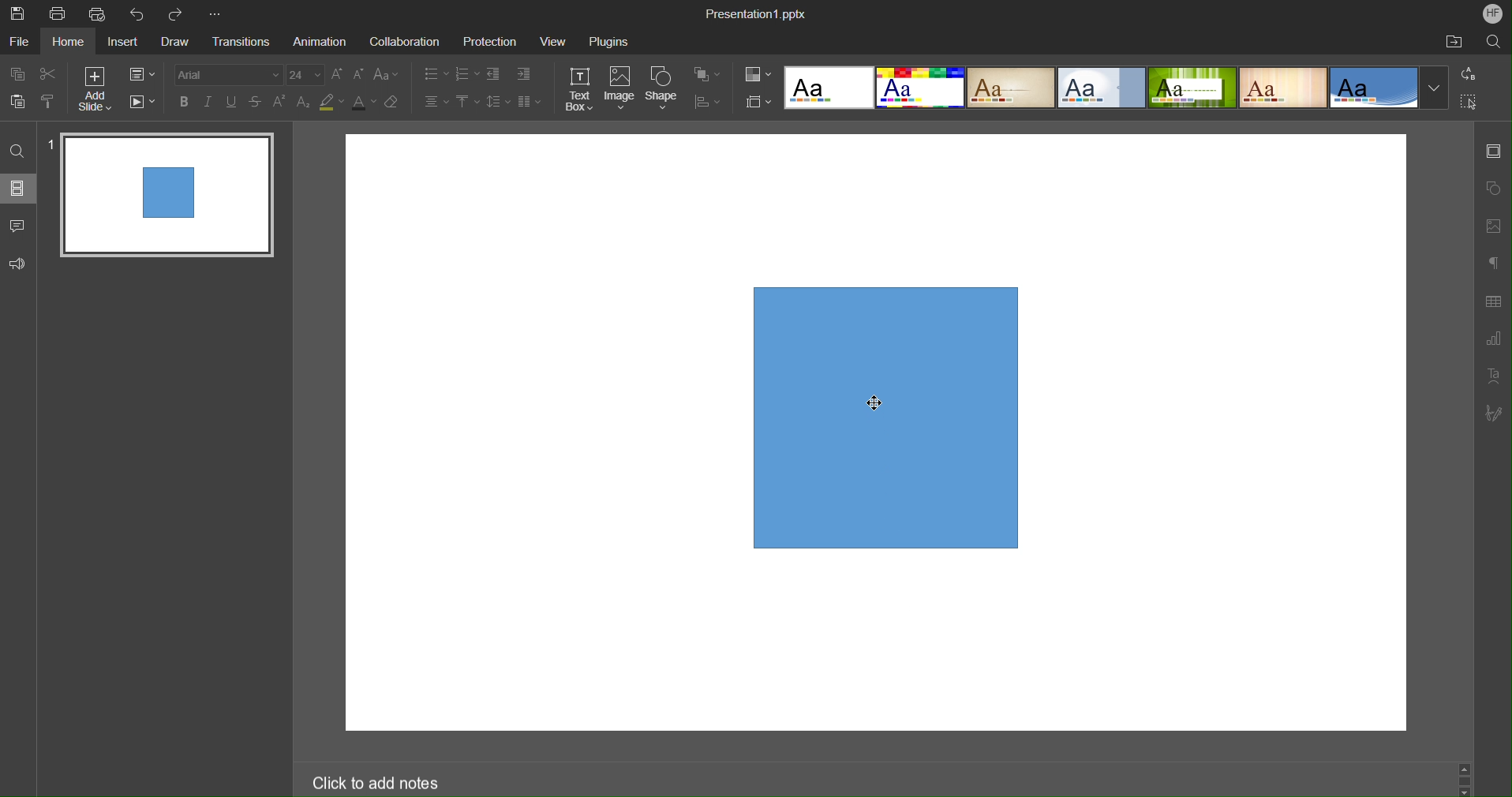 The height and width of the screenshot is (797, 1512). What do you see at coordinates (338, 75) in the screenshot?
I see `Increase Font` at bounding box center [338, 75].